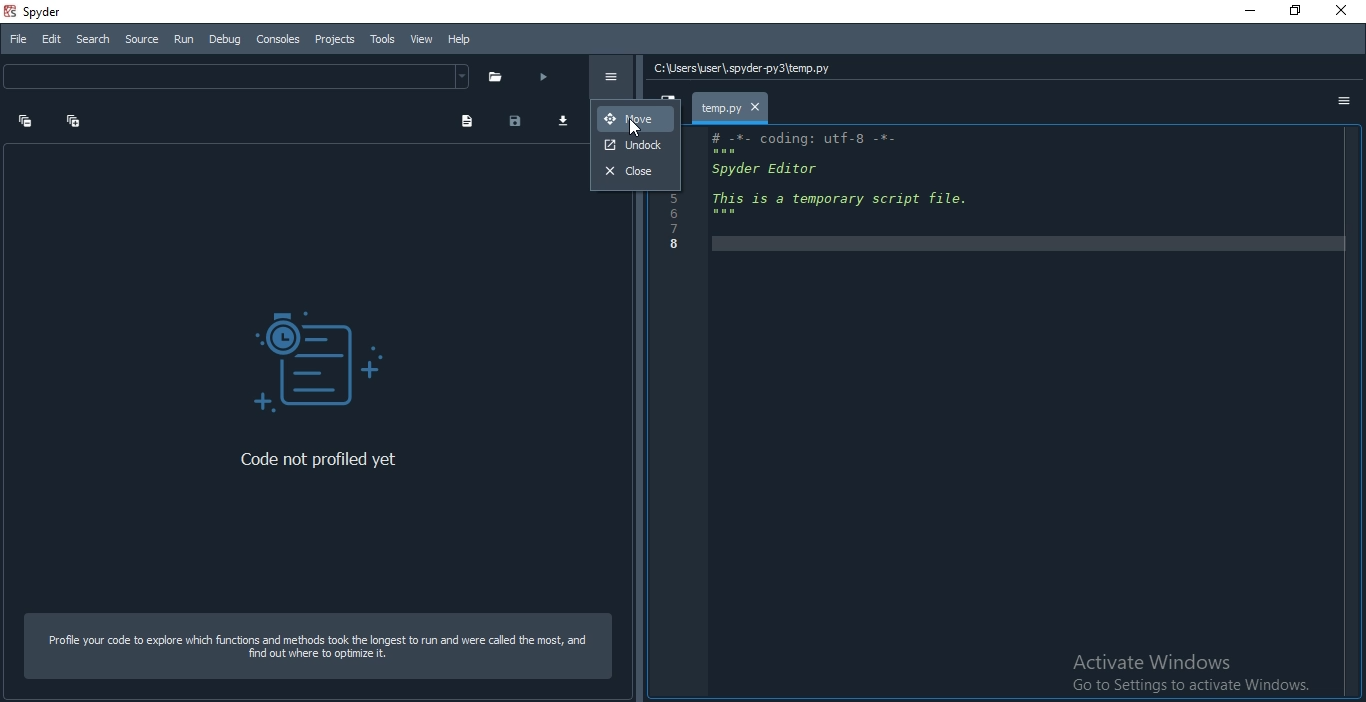 This screenshot has height=702, width=1366. Describe the element at coordinates (318, 645) in the screenshot. I see `Profile your code to explore which functions and methods took the longest to run and were called the most, and find out where to optimize it.` at that location.